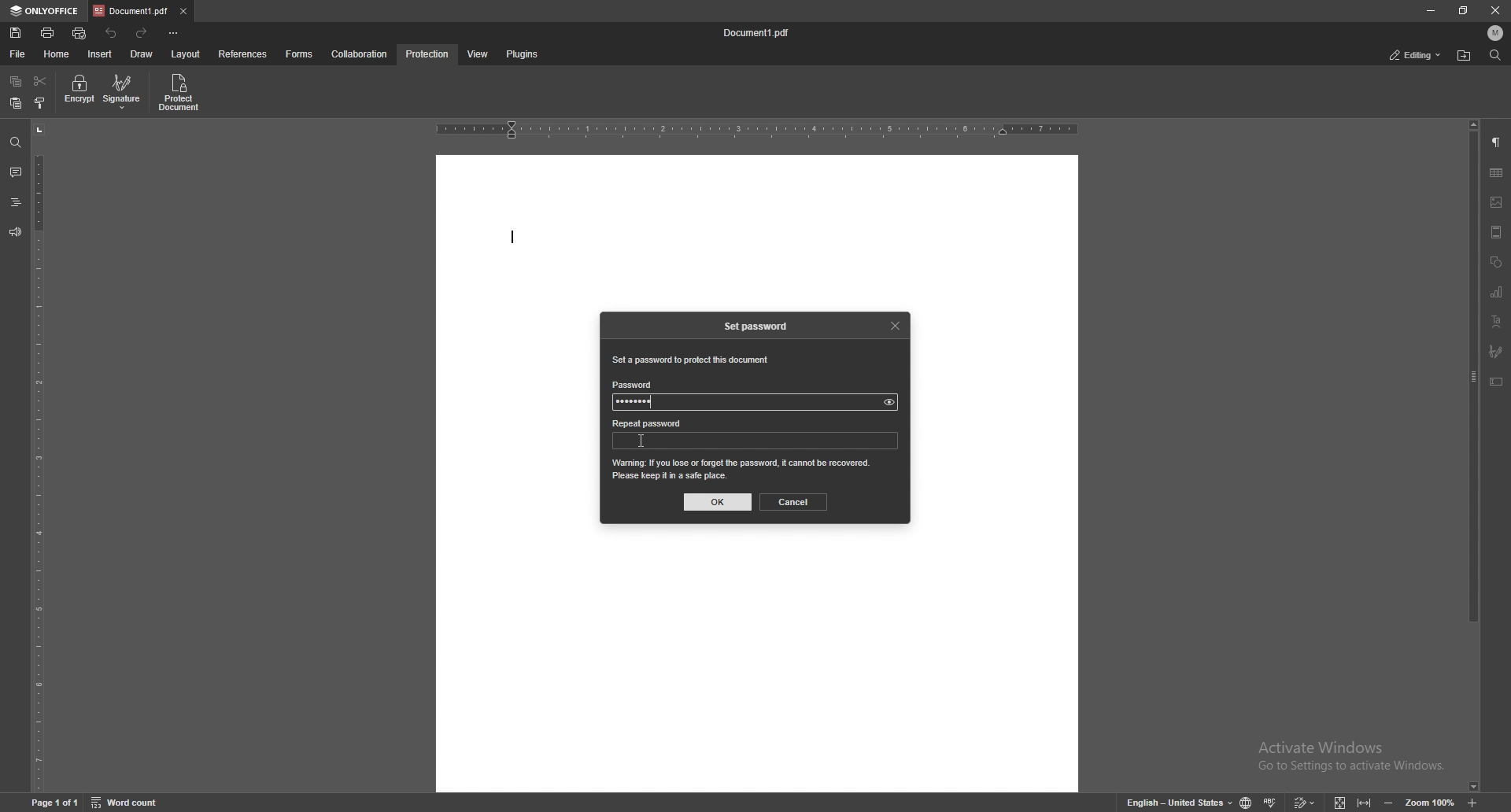 The image size is (1511, 812). What do you see at coordinates (15, 82) in the screenshot?
I see `copy` at bounding box center [15, 82].